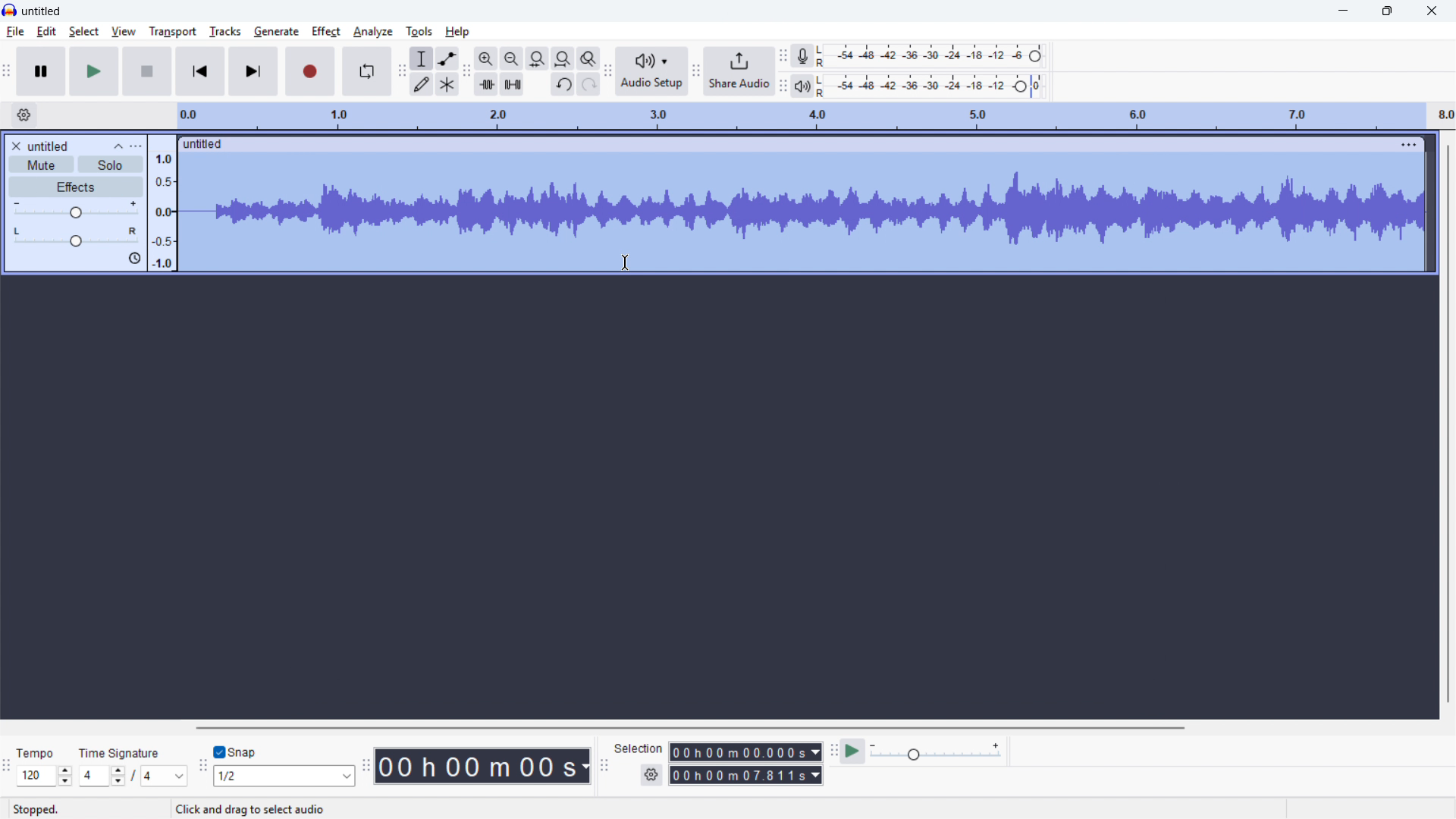 This screenshot has width=1456, height=819. I want to click on Edit toolbar , so click(466, 73).